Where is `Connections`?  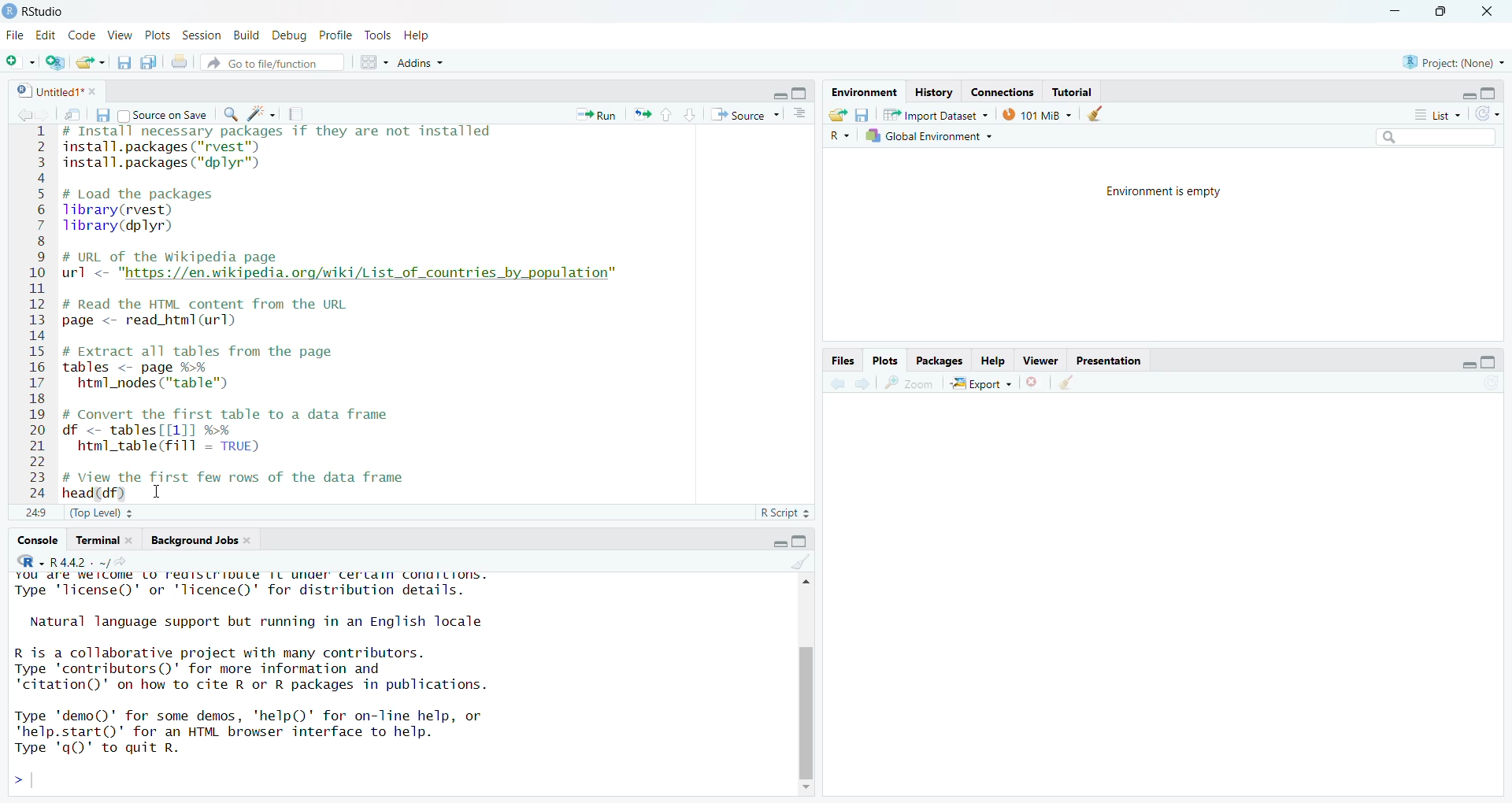 Connections is located at coordinates (1002, 93).